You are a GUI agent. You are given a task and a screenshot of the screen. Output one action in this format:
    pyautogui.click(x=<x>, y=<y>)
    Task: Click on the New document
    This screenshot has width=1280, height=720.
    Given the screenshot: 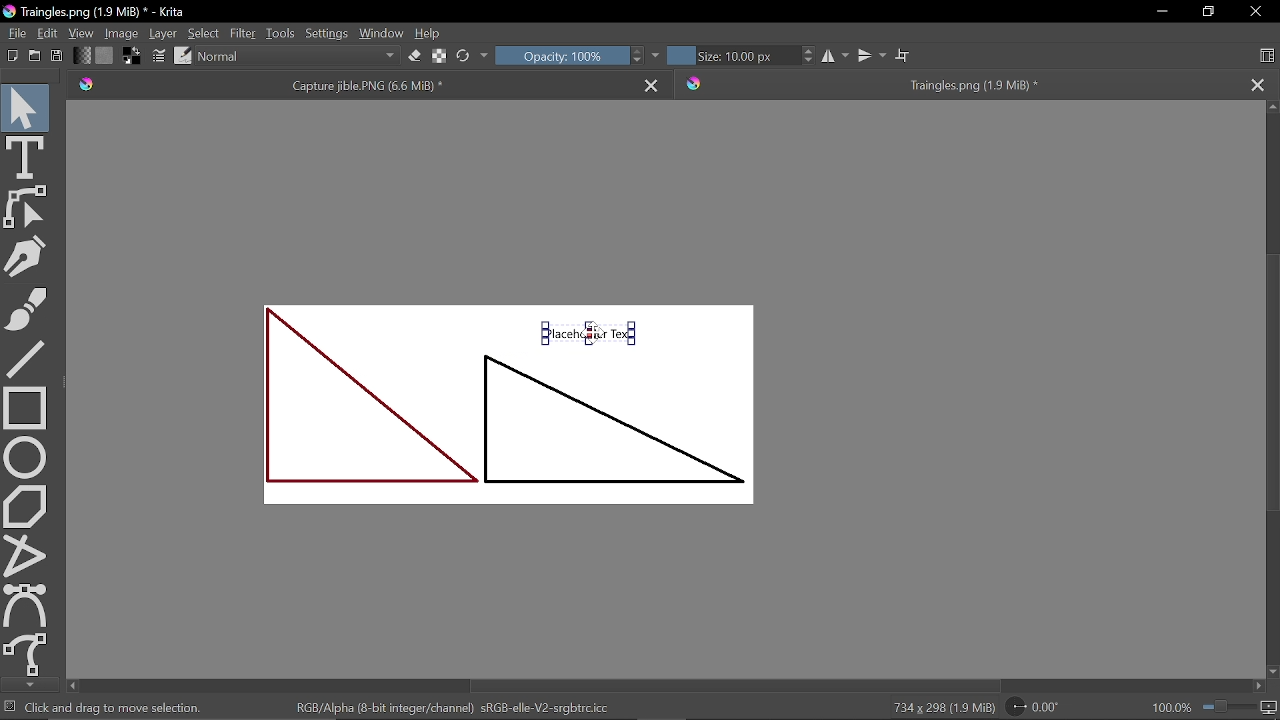 What is the action you would take?
    pyautogui.click(x=10, y=56)
    